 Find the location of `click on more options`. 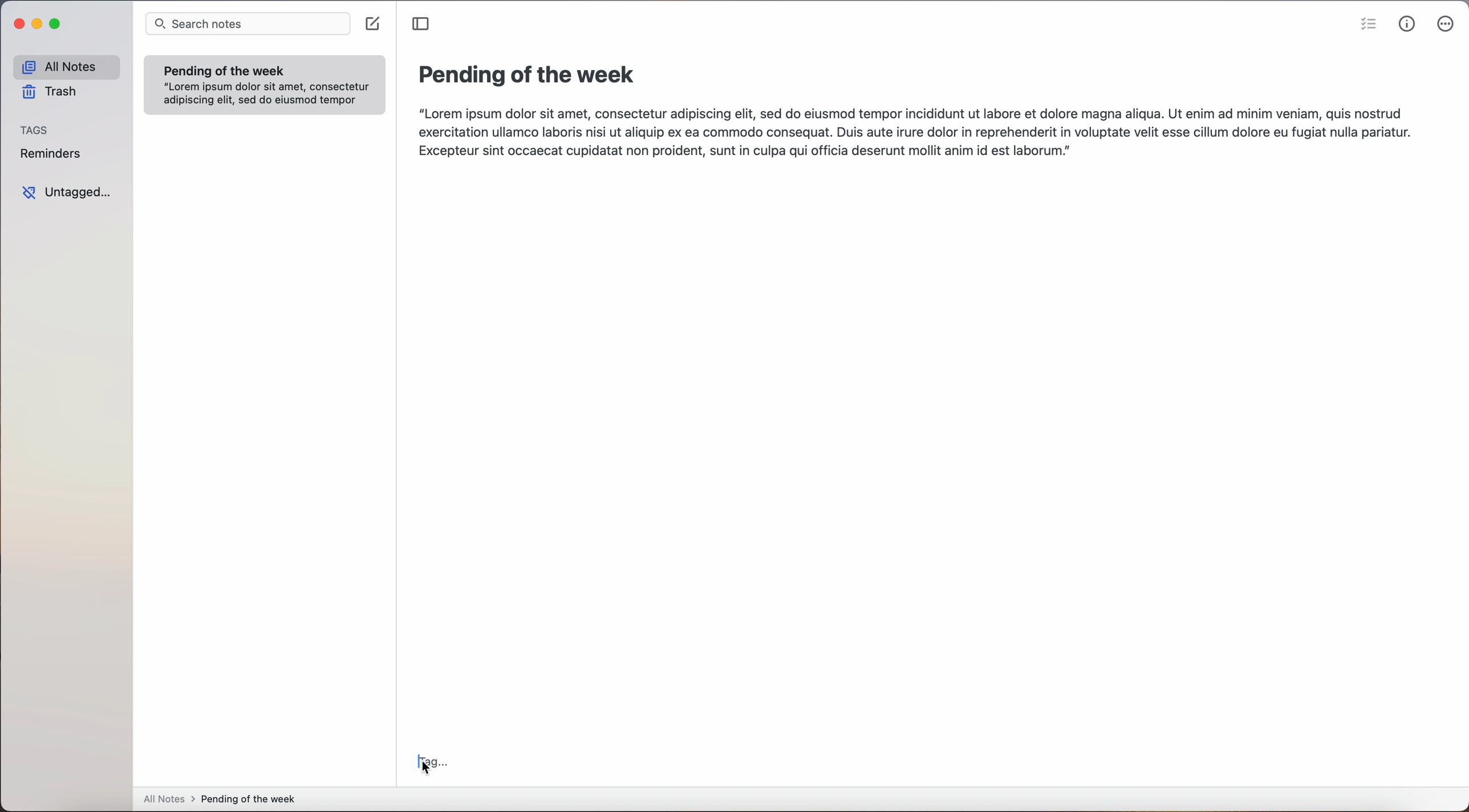

click on more options is located at coordinates (1447, 25).